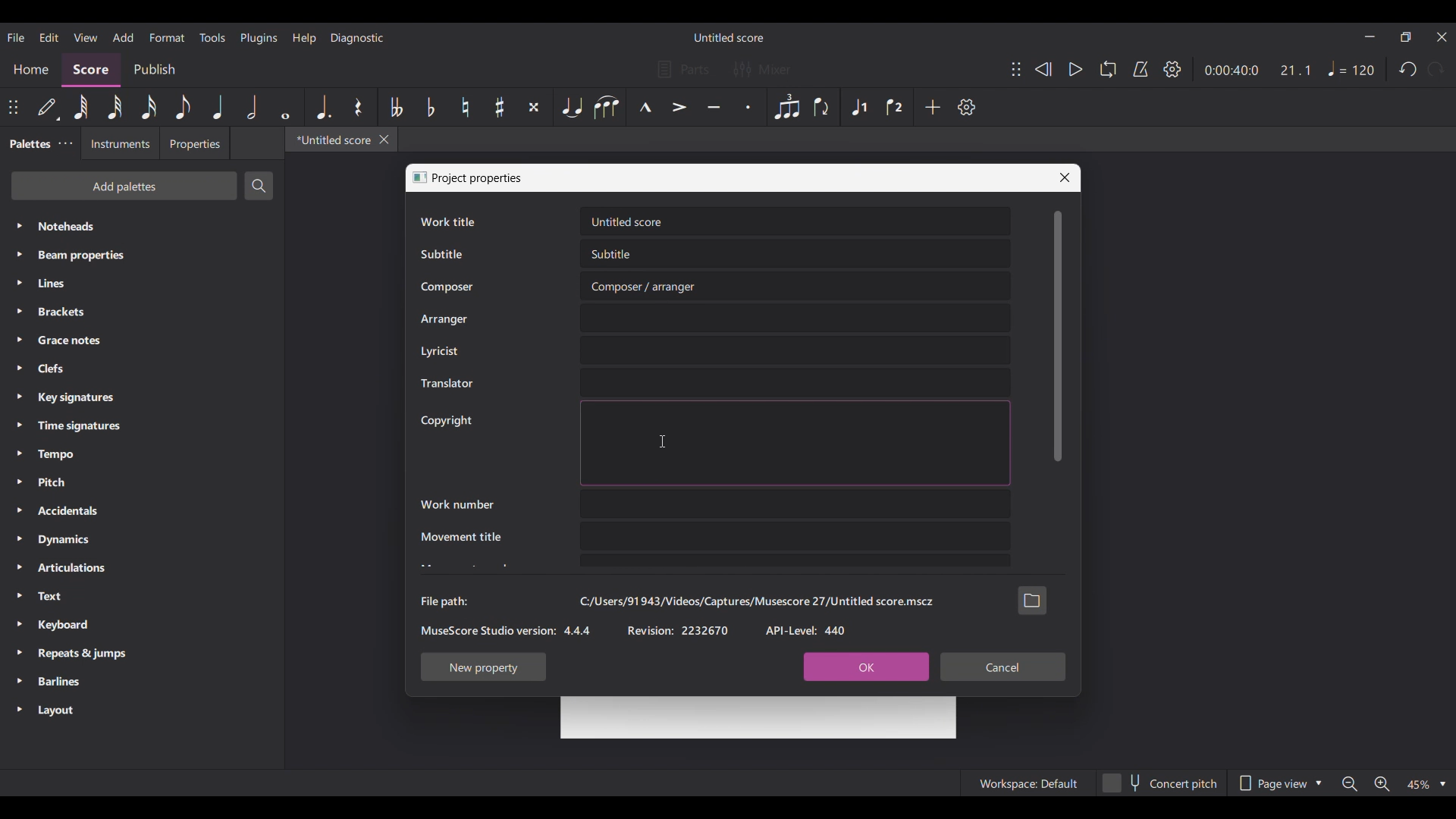 The image size is (1456, 819). I want to click on Parts settings, so click(684, 69).